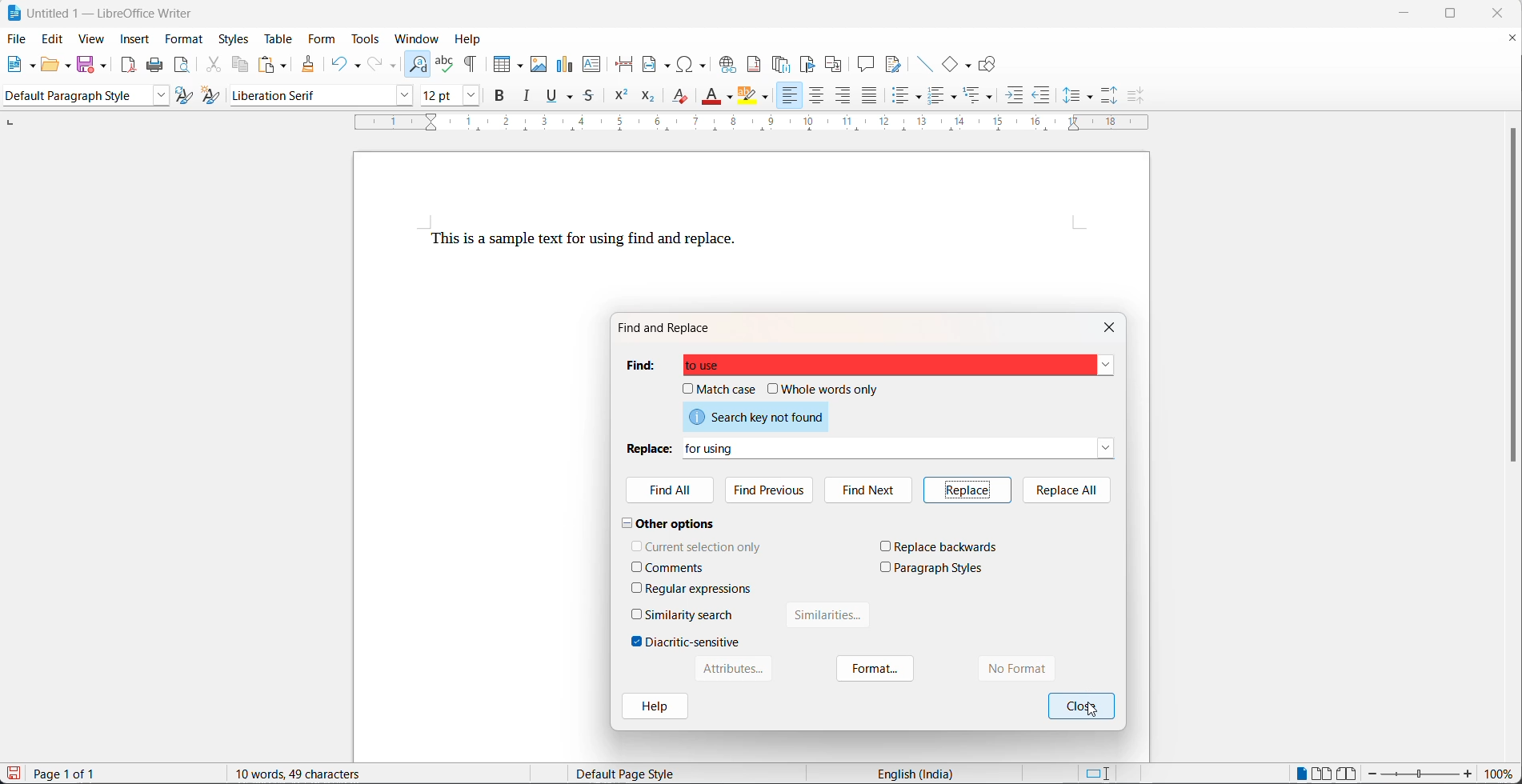  I want to click on checkbox, so click(637, 545).